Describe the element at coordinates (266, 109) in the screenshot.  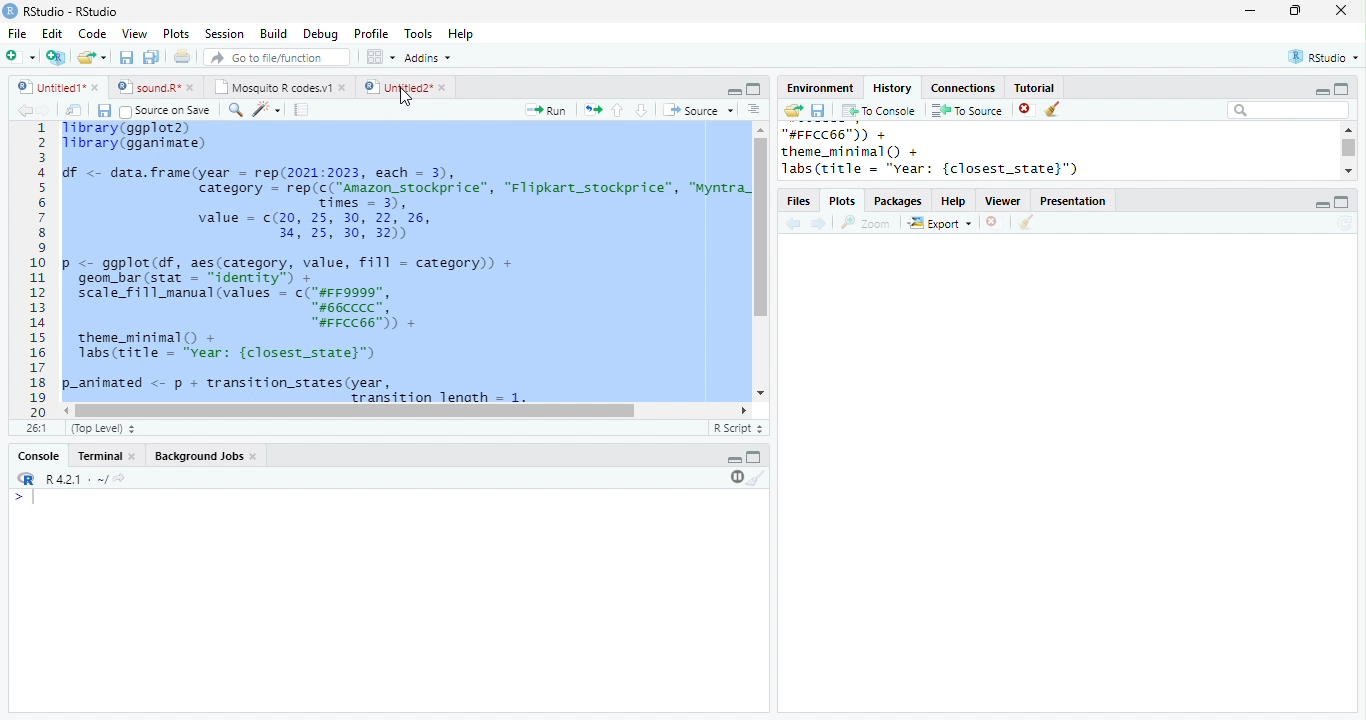
I see `code tools` at that location.